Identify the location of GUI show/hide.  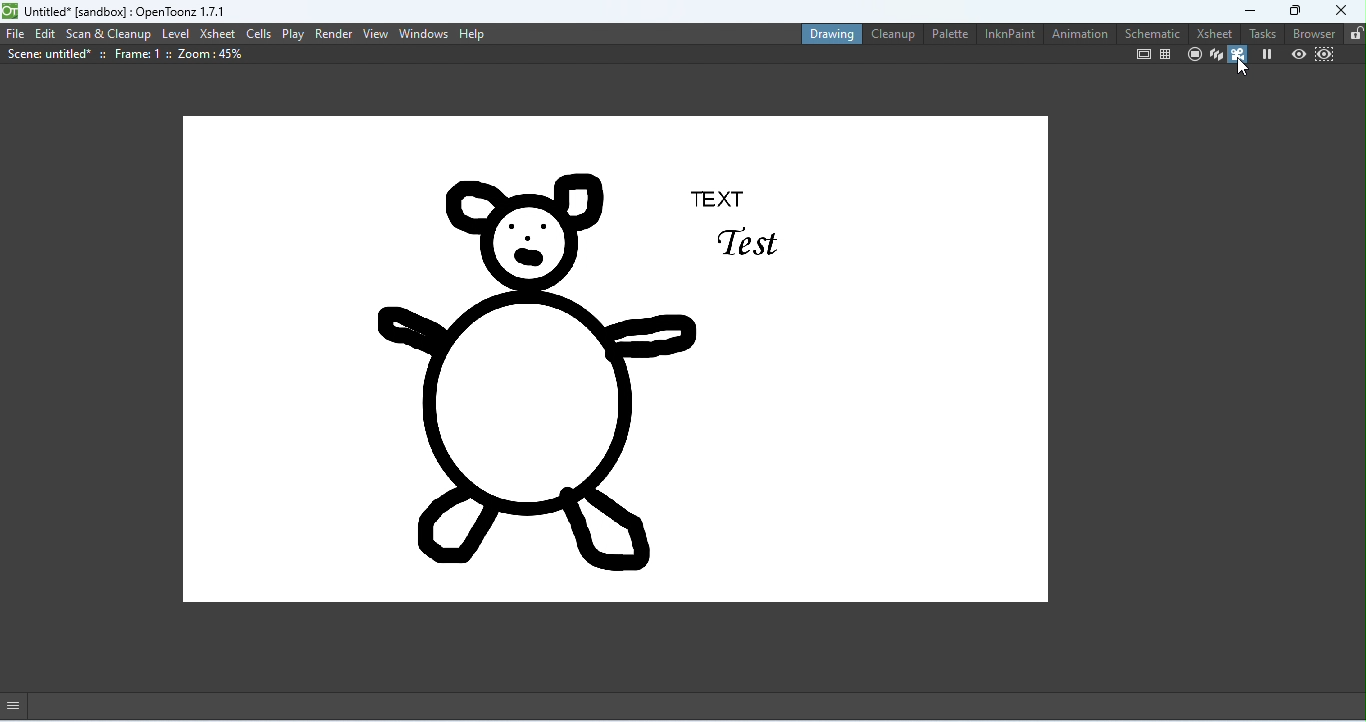
(20, 705).